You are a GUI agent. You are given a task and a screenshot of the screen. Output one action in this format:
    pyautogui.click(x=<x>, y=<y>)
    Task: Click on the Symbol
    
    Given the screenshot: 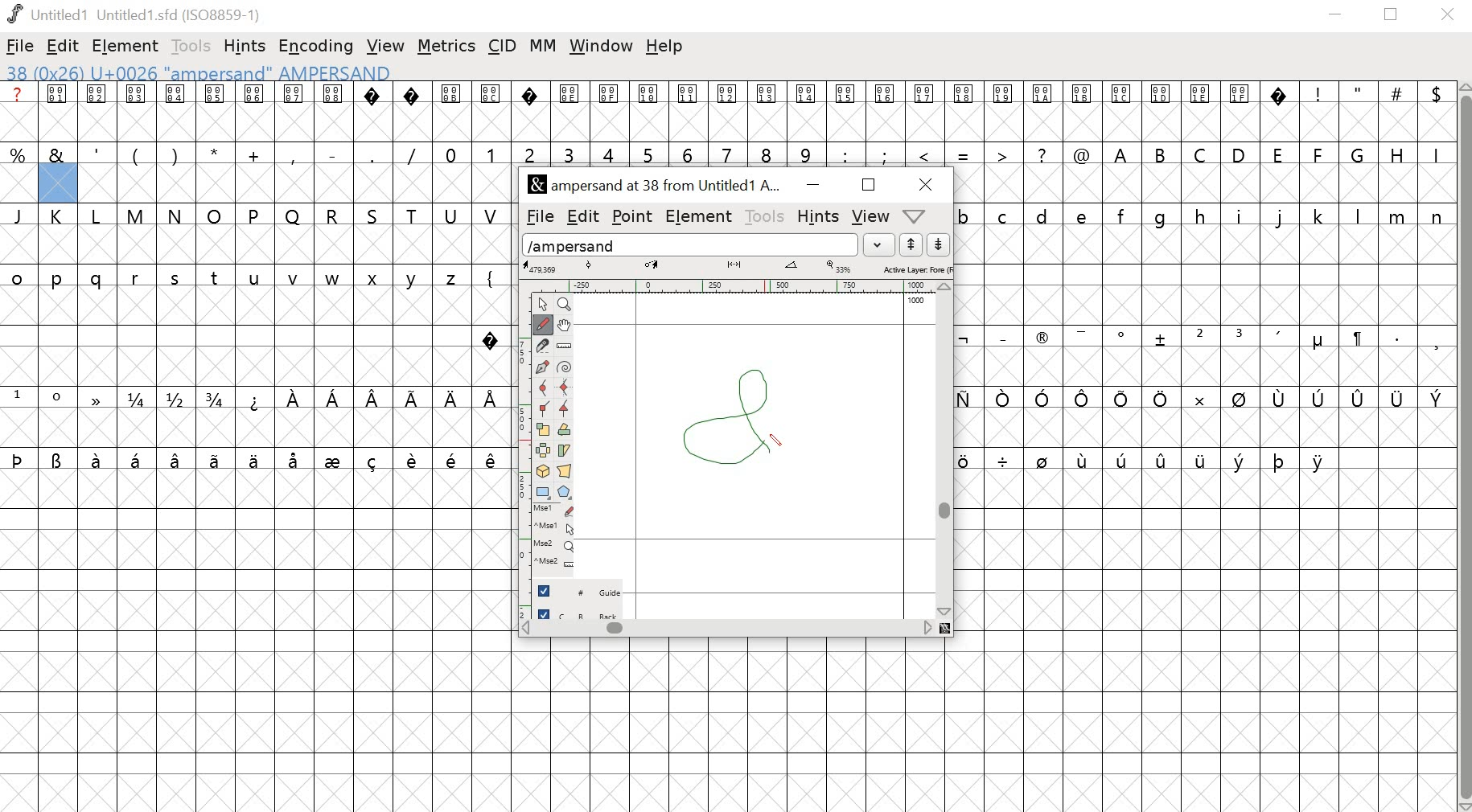 What is the action you would take?
    pyautogui.click(x=1042, y=340)
    